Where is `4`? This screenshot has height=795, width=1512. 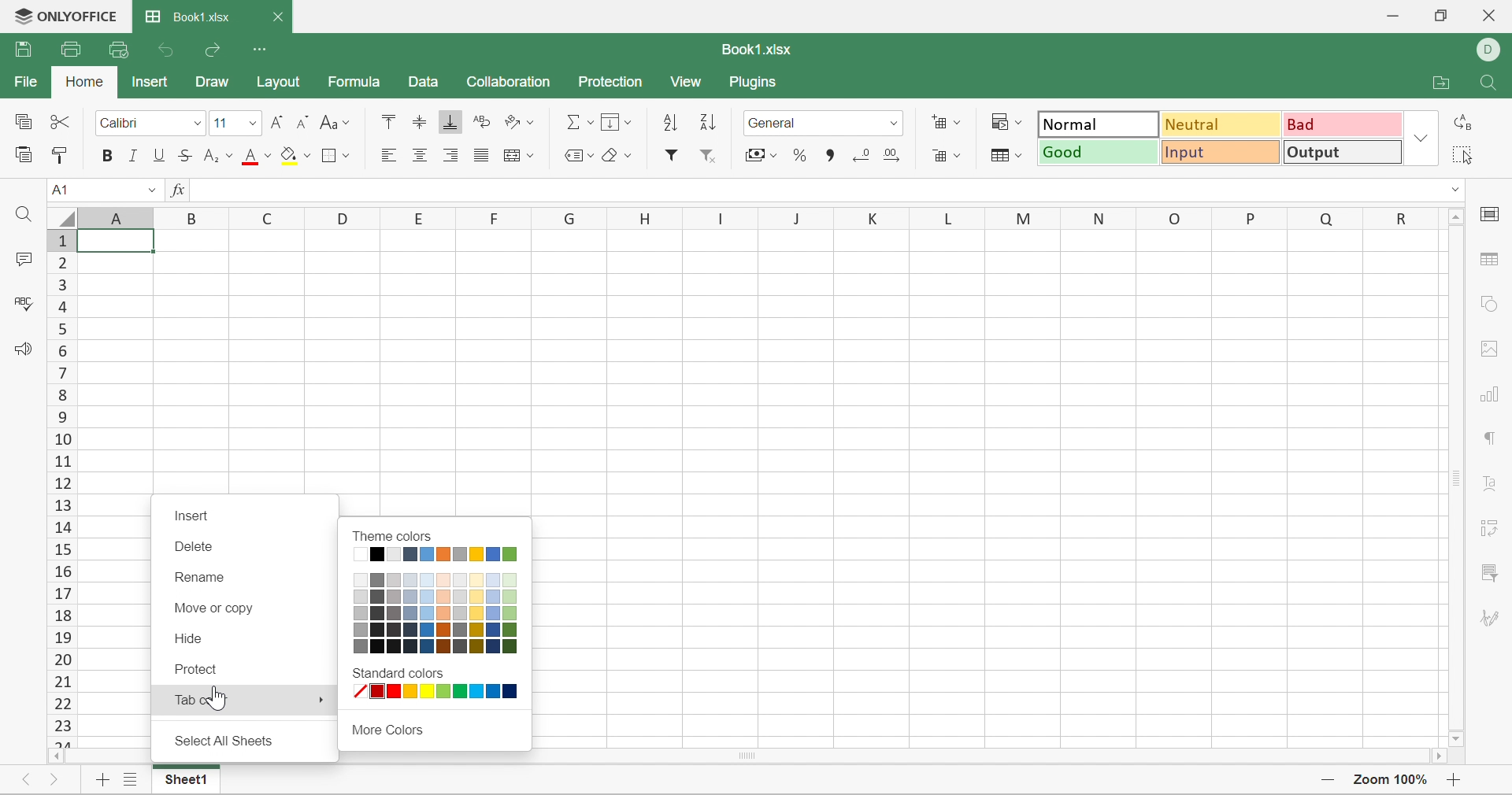 4 is located at coordinates (58, 327).